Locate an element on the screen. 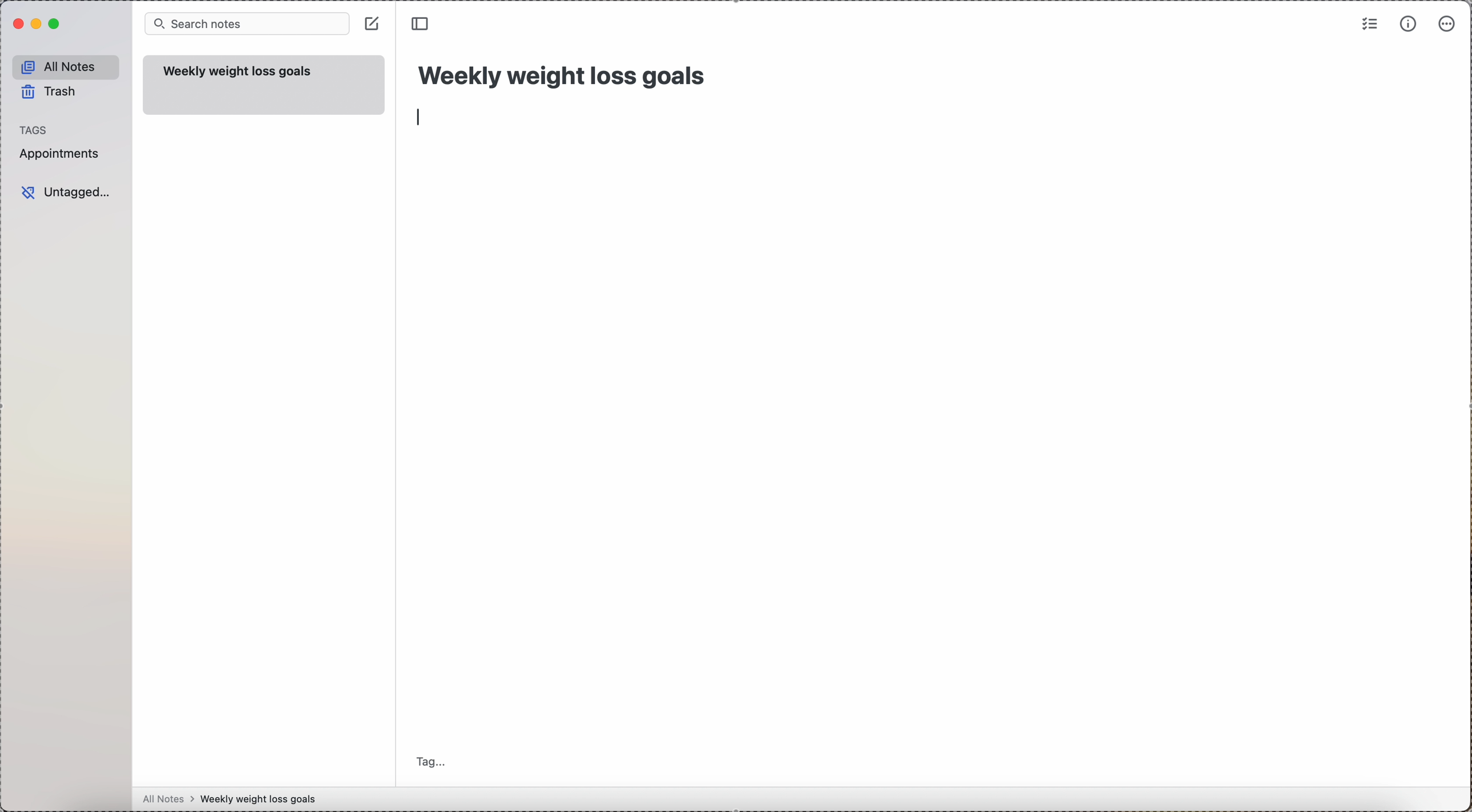 The height and width of the screenshot is (812, 1472). check list is located at coordinates (1368, 25).